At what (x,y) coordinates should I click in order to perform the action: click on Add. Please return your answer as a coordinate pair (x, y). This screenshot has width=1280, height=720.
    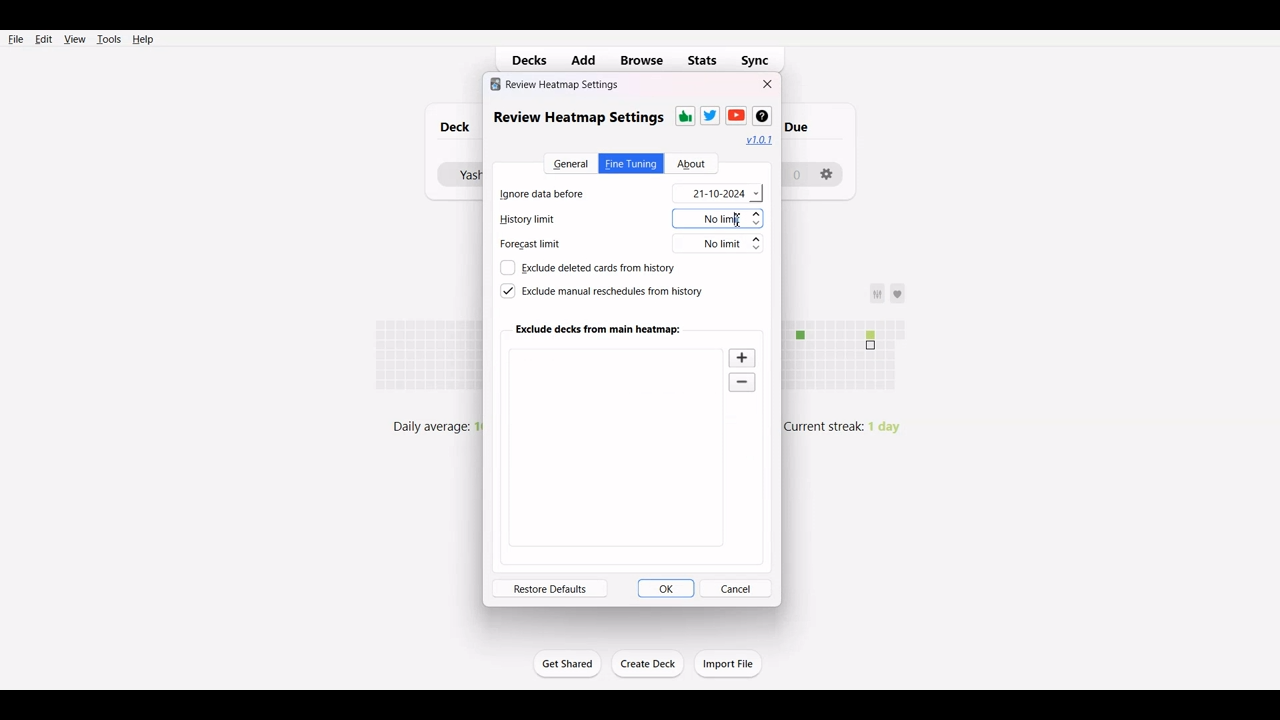
    Looking at the image, I should click on (587, 59).